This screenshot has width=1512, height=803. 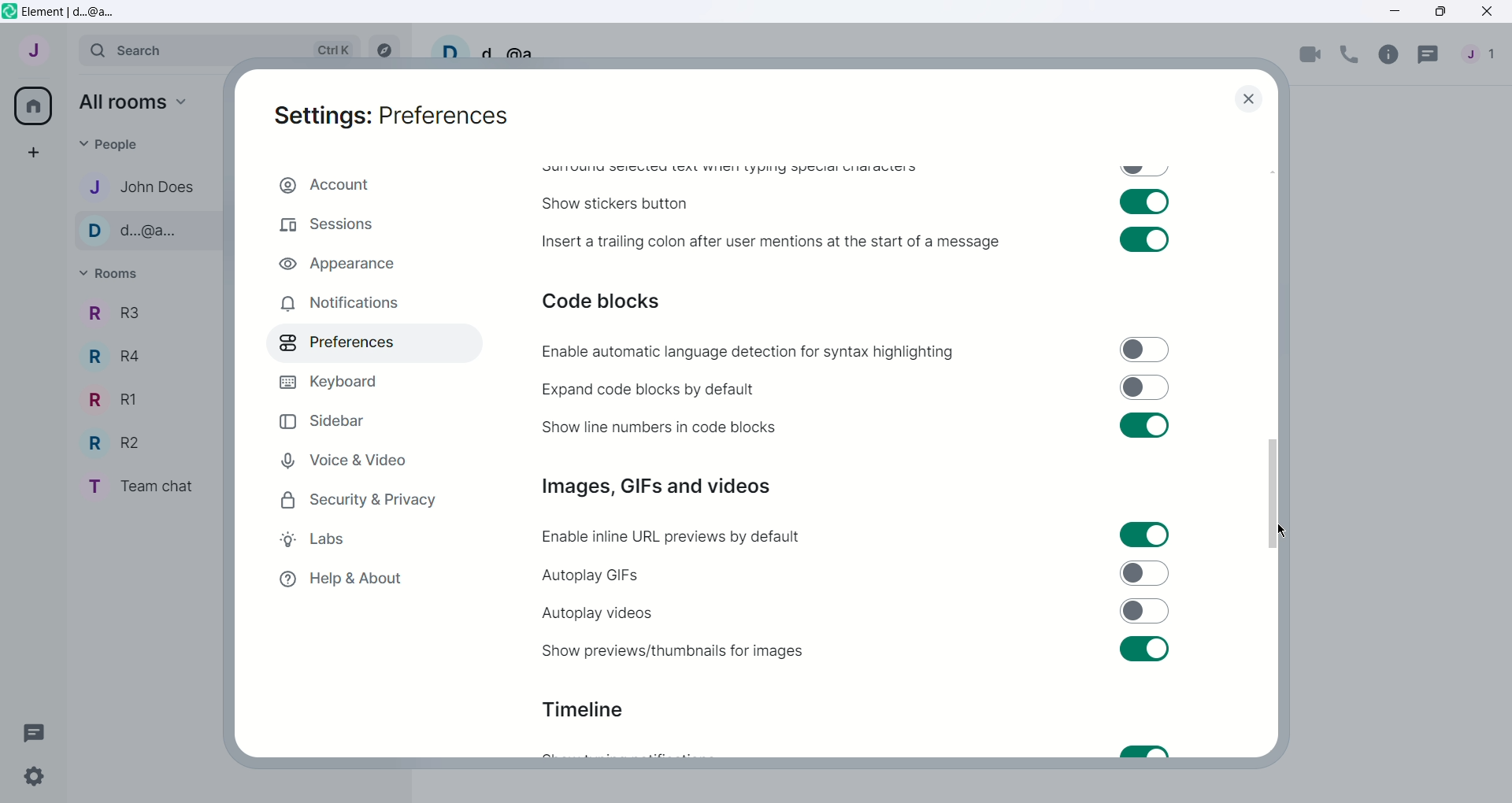 I want to click on Show line numbers in code blocks, so click(x=659, y=426).